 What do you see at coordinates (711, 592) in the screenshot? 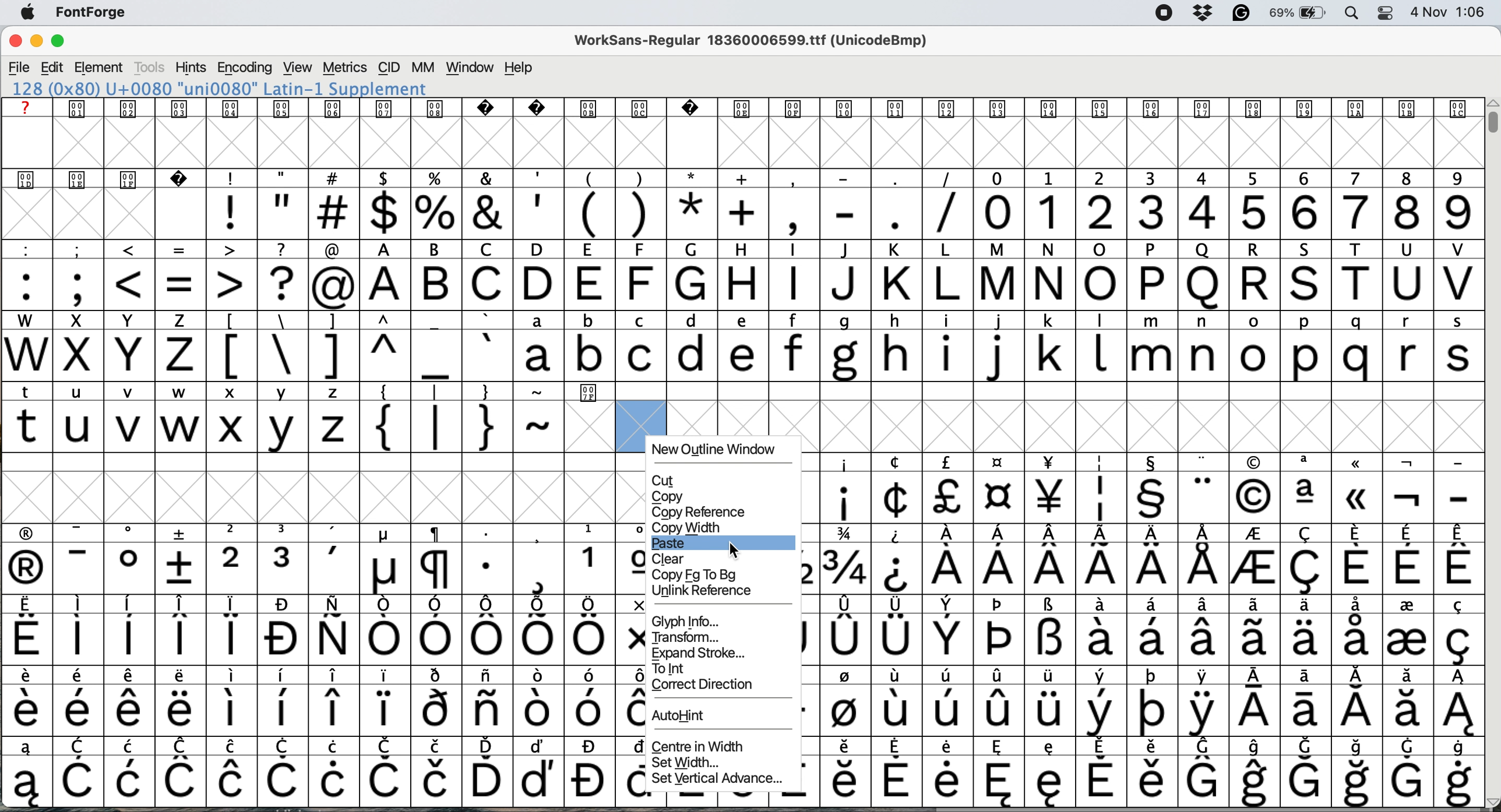
I see `unlink reference` at bounding box center [711, 592].